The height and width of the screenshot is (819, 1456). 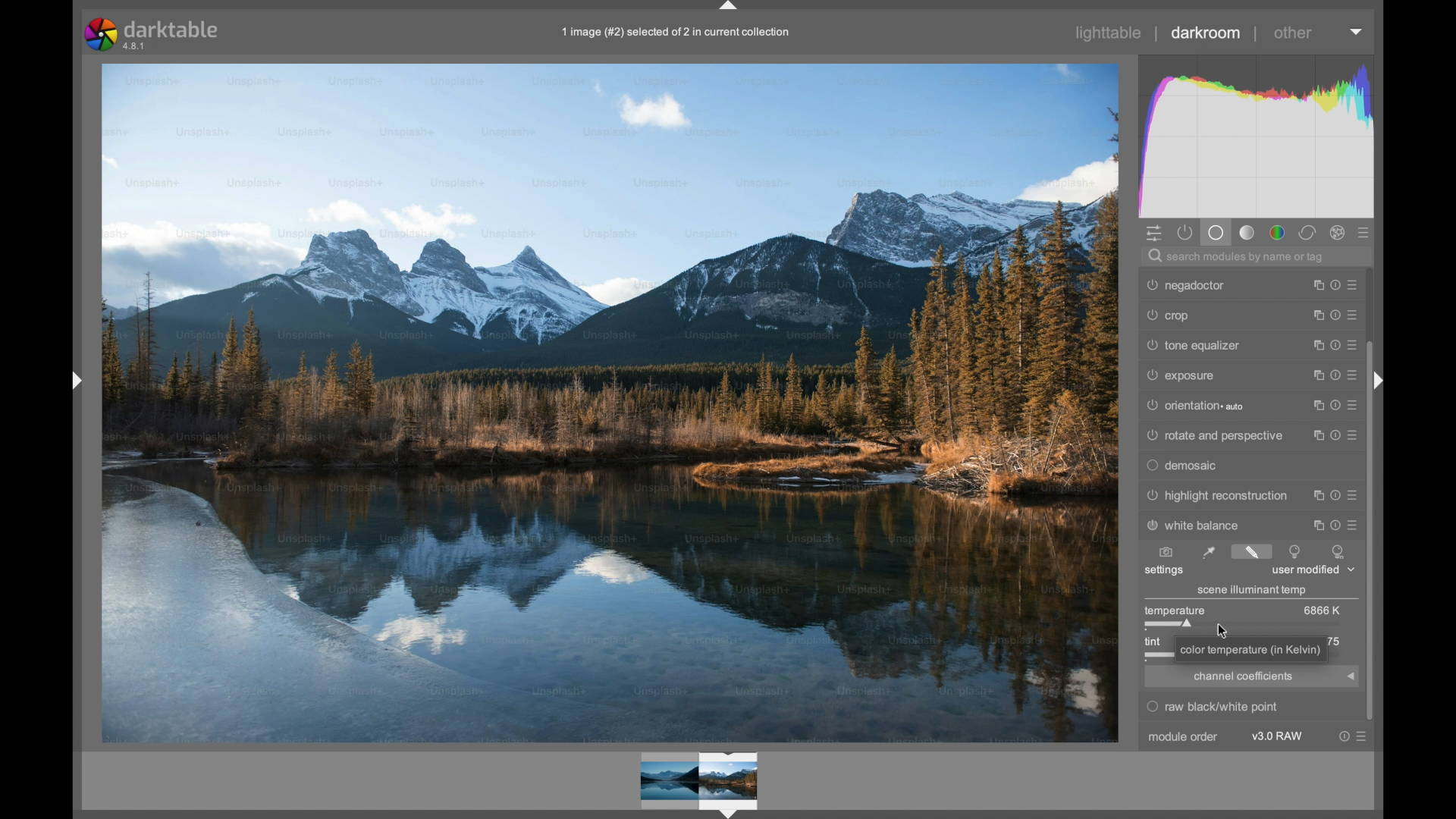 What do you see at coordinates (1194, 345) in the screenshot?
I see `tone equalizer` at bounding box center [1194, 345].